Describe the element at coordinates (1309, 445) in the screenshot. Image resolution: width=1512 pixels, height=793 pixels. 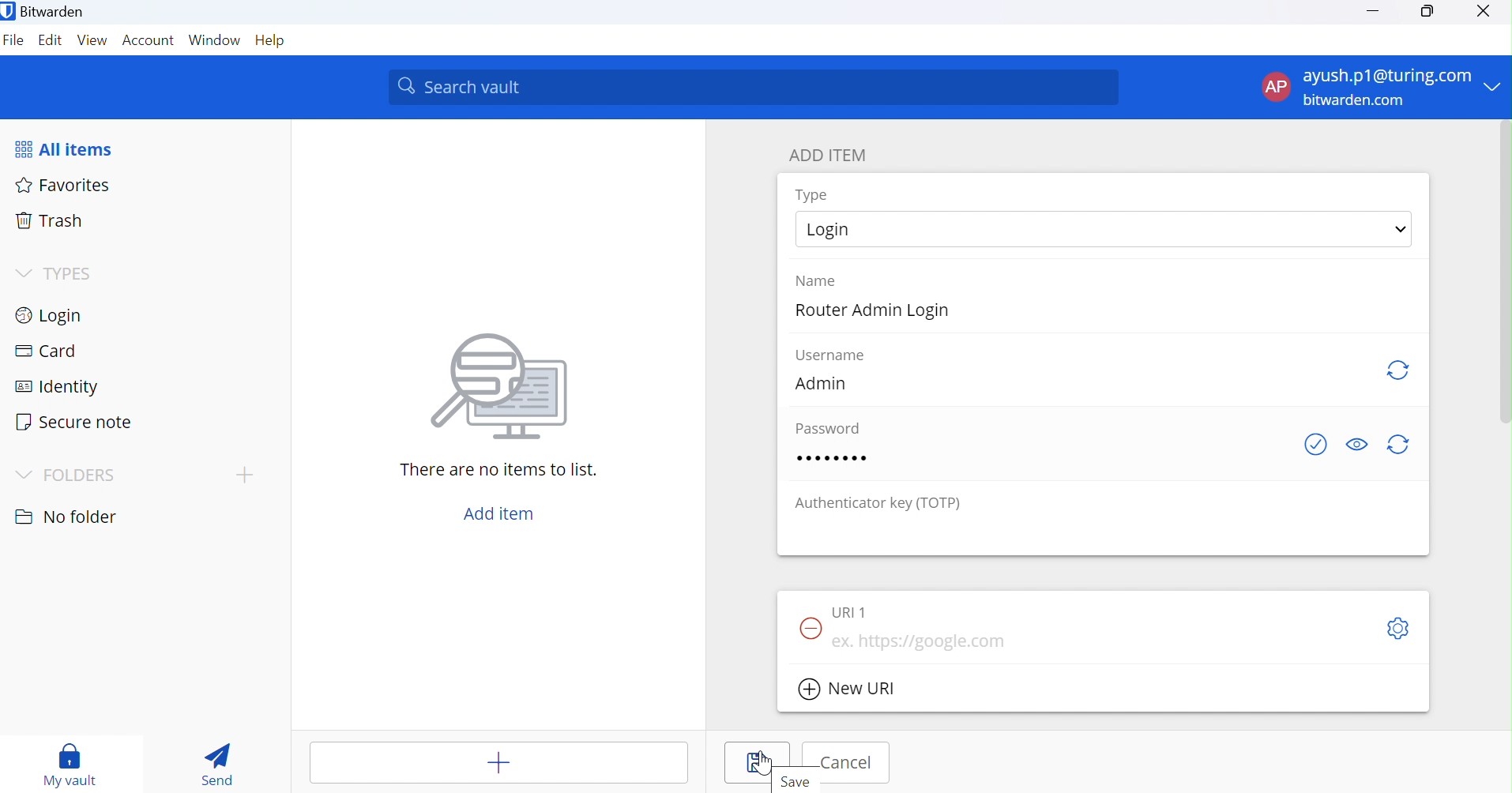
I see `Check if password has been exposed` at that location.